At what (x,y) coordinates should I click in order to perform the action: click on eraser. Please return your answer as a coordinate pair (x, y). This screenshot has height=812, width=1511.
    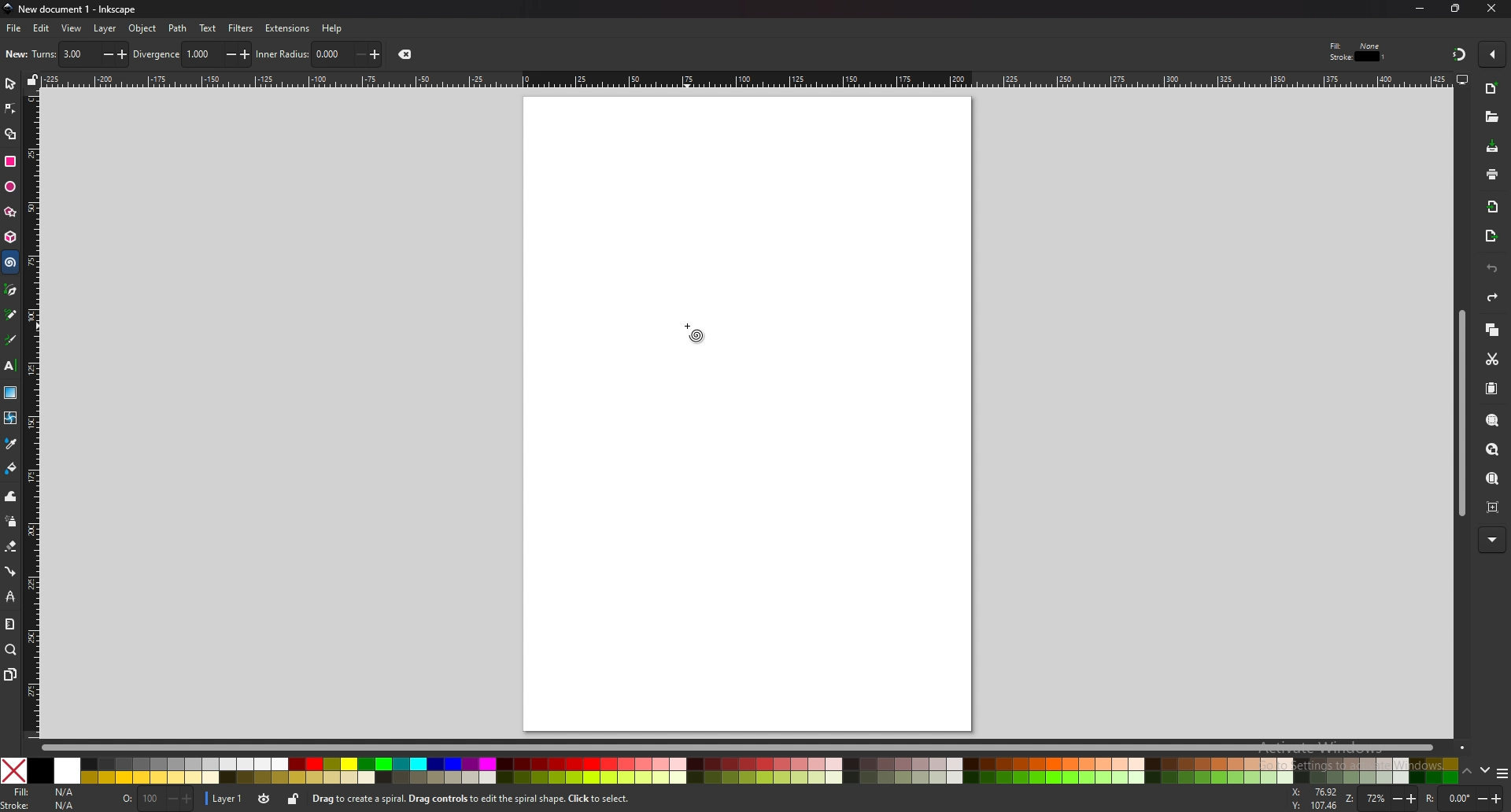
    Looking at the image, I should click on (11, 547).